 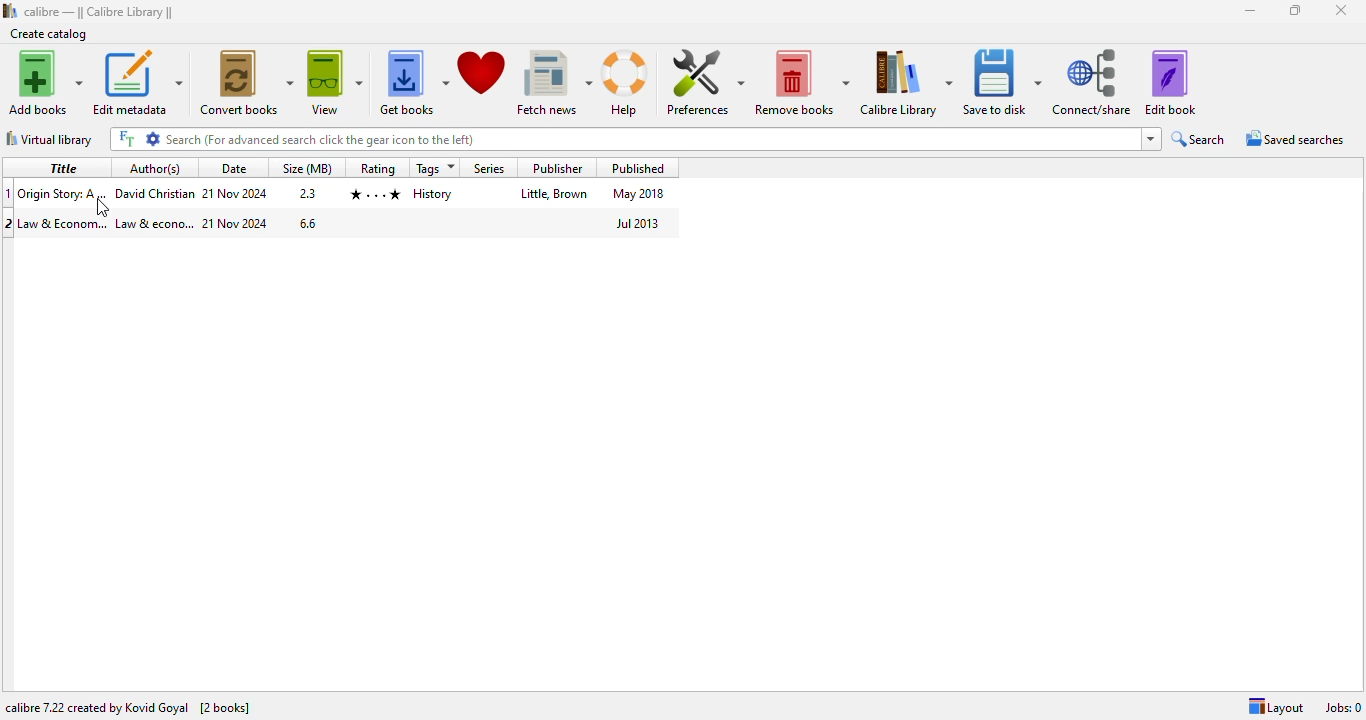 I want to click on save to disk, so click(x=1003, y=83).